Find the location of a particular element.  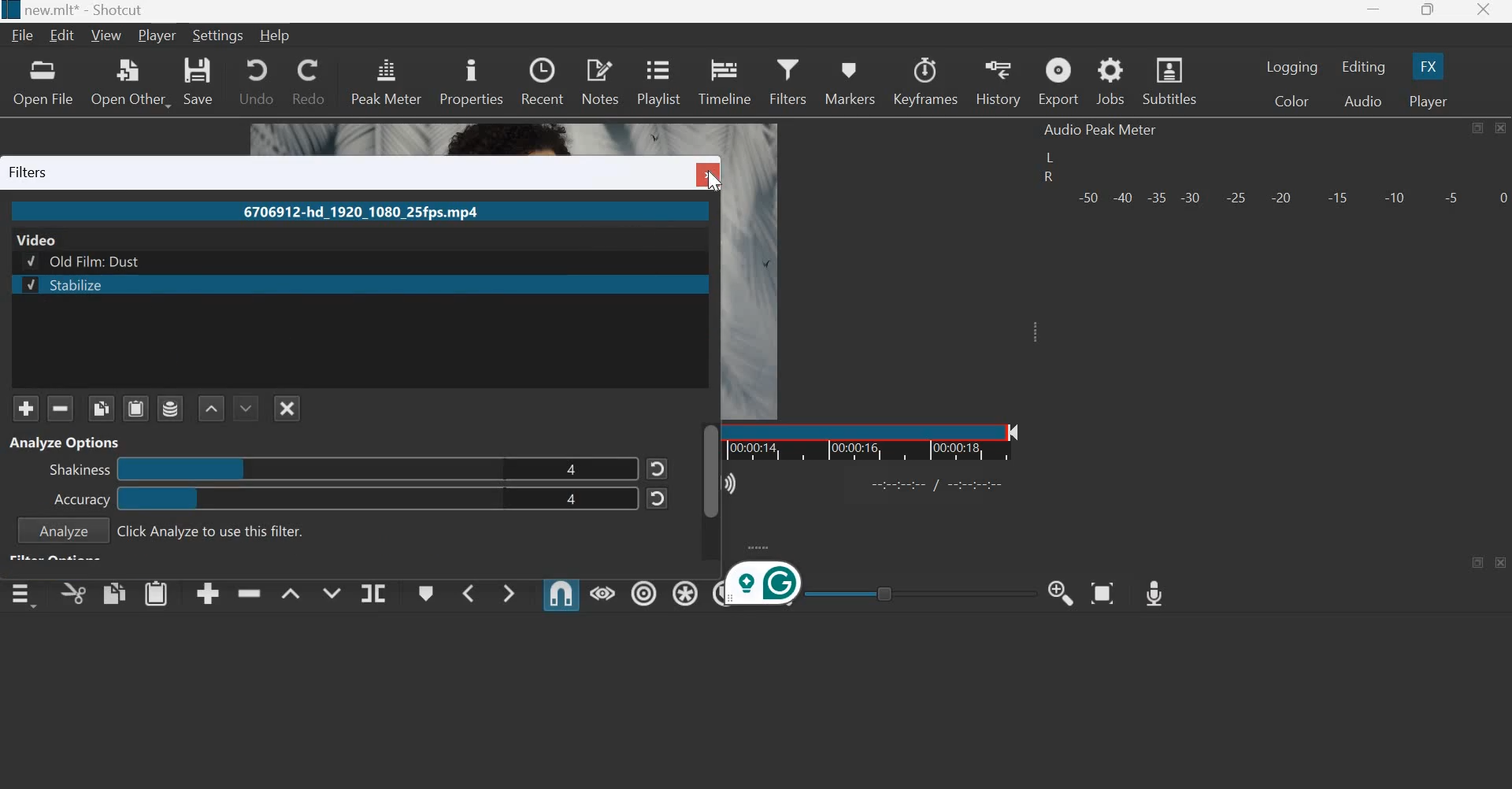

level is located at coordinates (310, 472).